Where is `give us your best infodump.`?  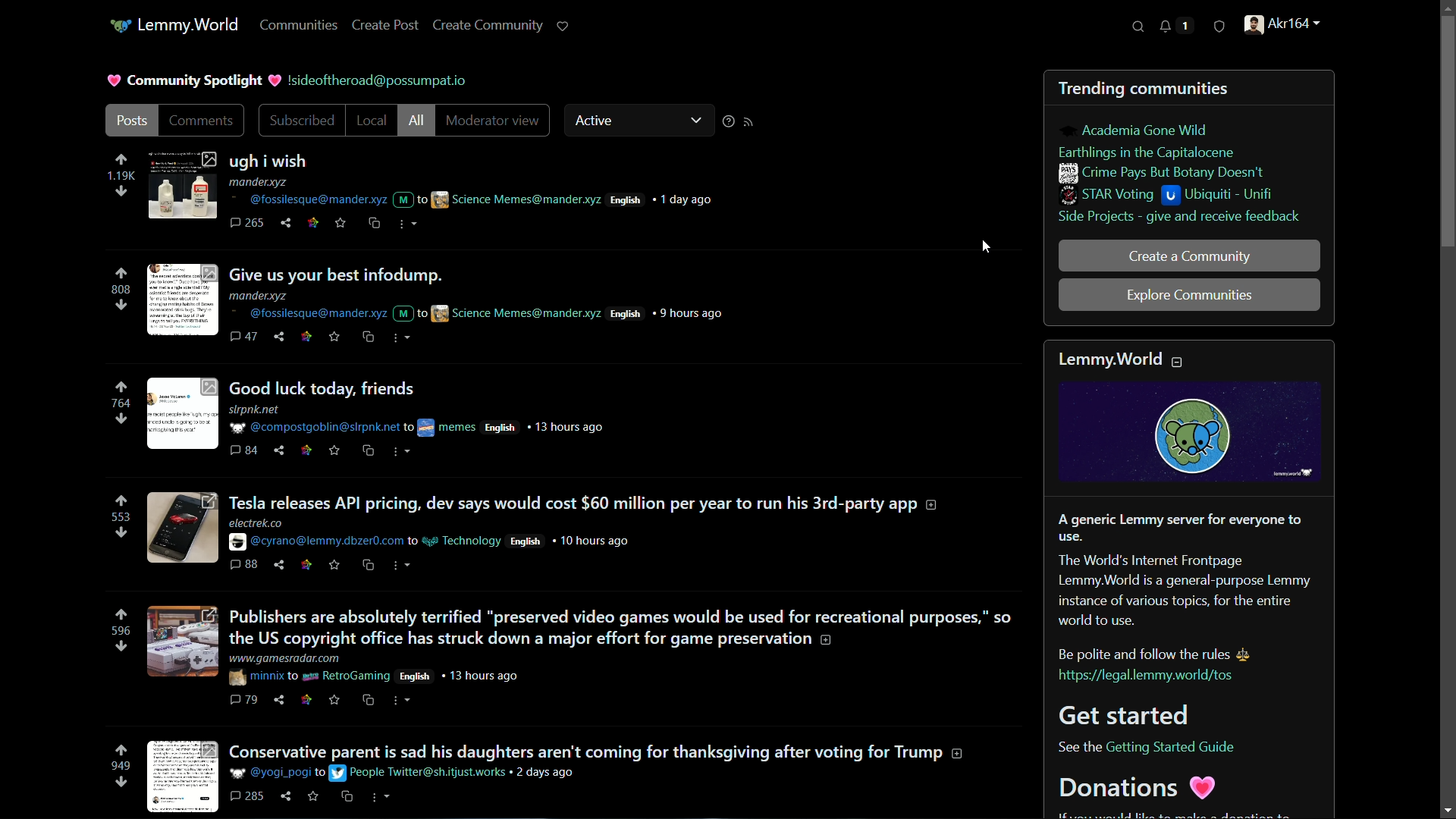
give us your best infodump. is located at coordinates (353, 275).